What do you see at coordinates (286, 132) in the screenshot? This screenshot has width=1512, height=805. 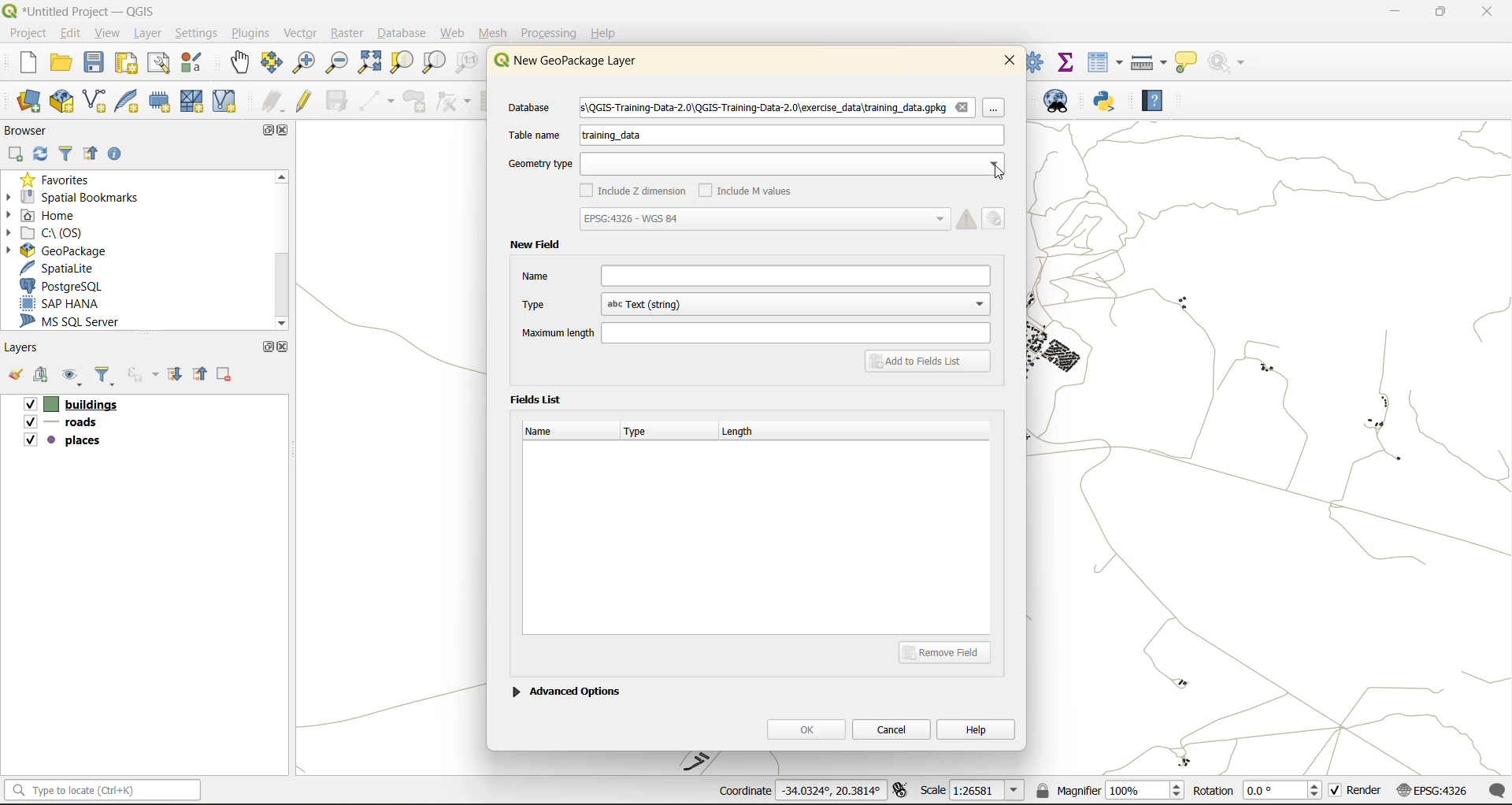 I see `close` at bounding box center [286, 132].